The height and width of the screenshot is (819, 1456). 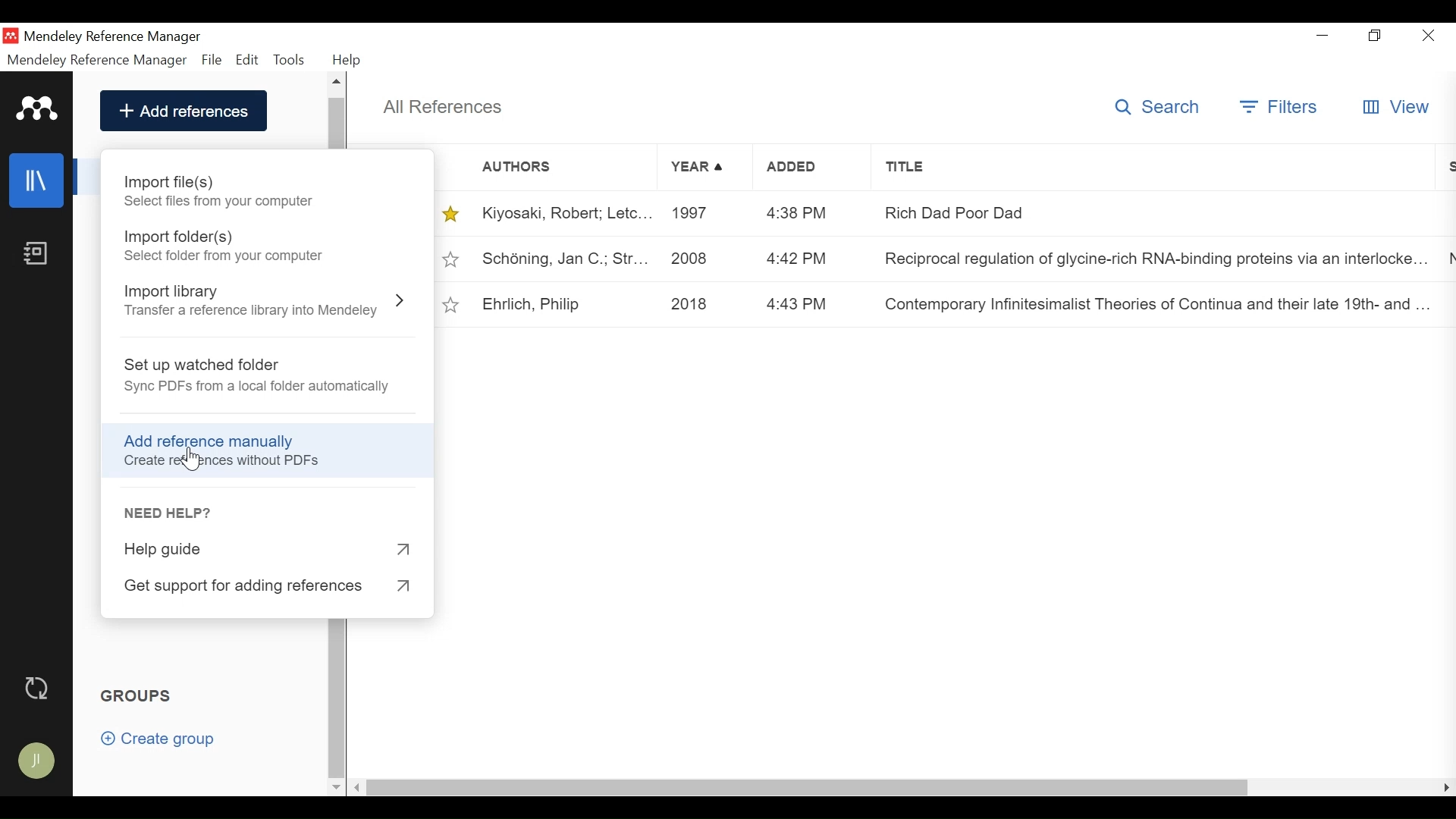 What do you see at coordinates (171, 513) in the screenshot?
I see `Need Help` at bounding box center [171, 513].